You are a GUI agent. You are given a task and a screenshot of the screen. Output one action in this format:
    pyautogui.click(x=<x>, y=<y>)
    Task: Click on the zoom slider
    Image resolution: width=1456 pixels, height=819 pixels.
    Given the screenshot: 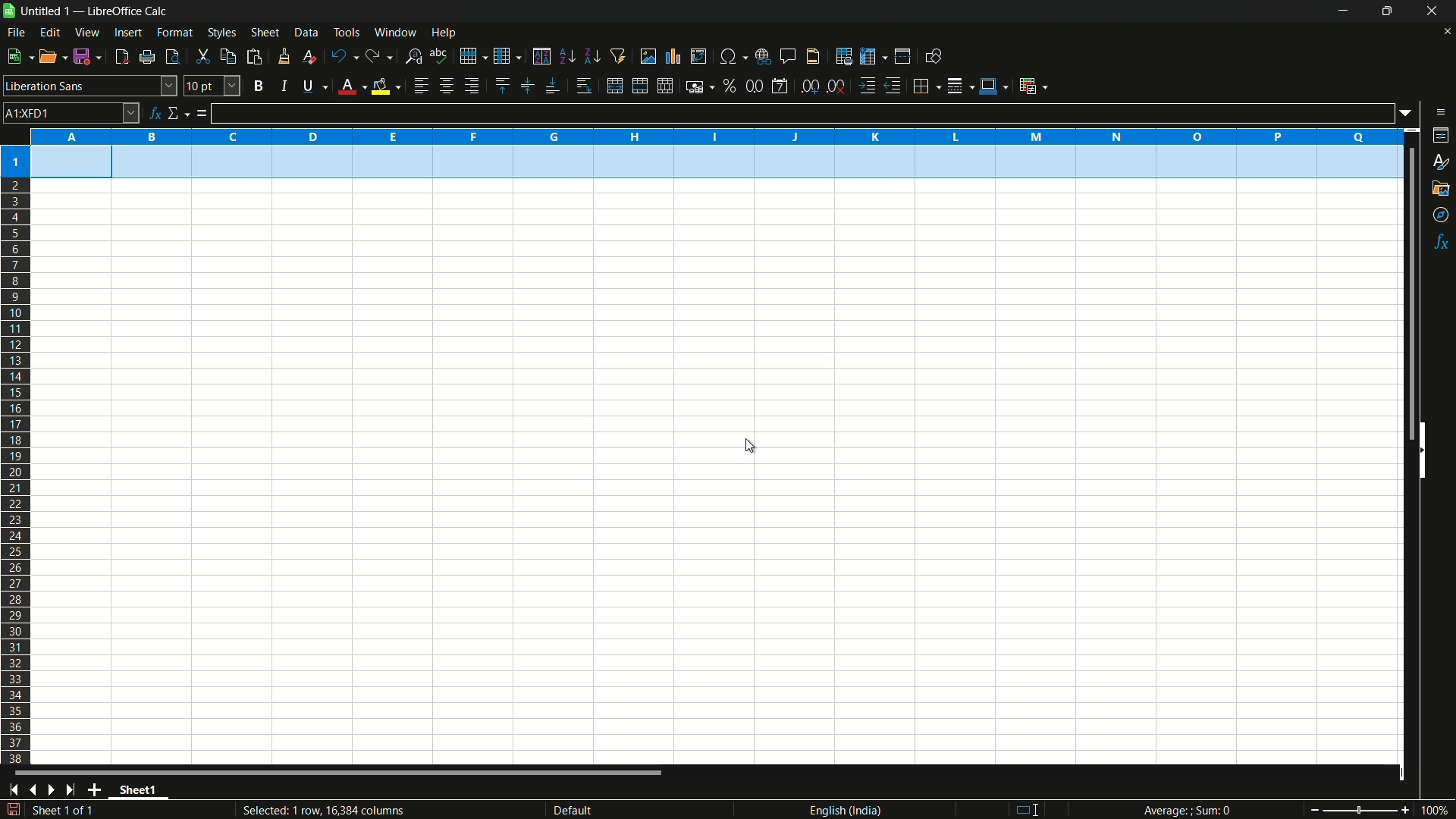 What is the action you would take?
    pyautogui.click(x=1359, y=809)
    